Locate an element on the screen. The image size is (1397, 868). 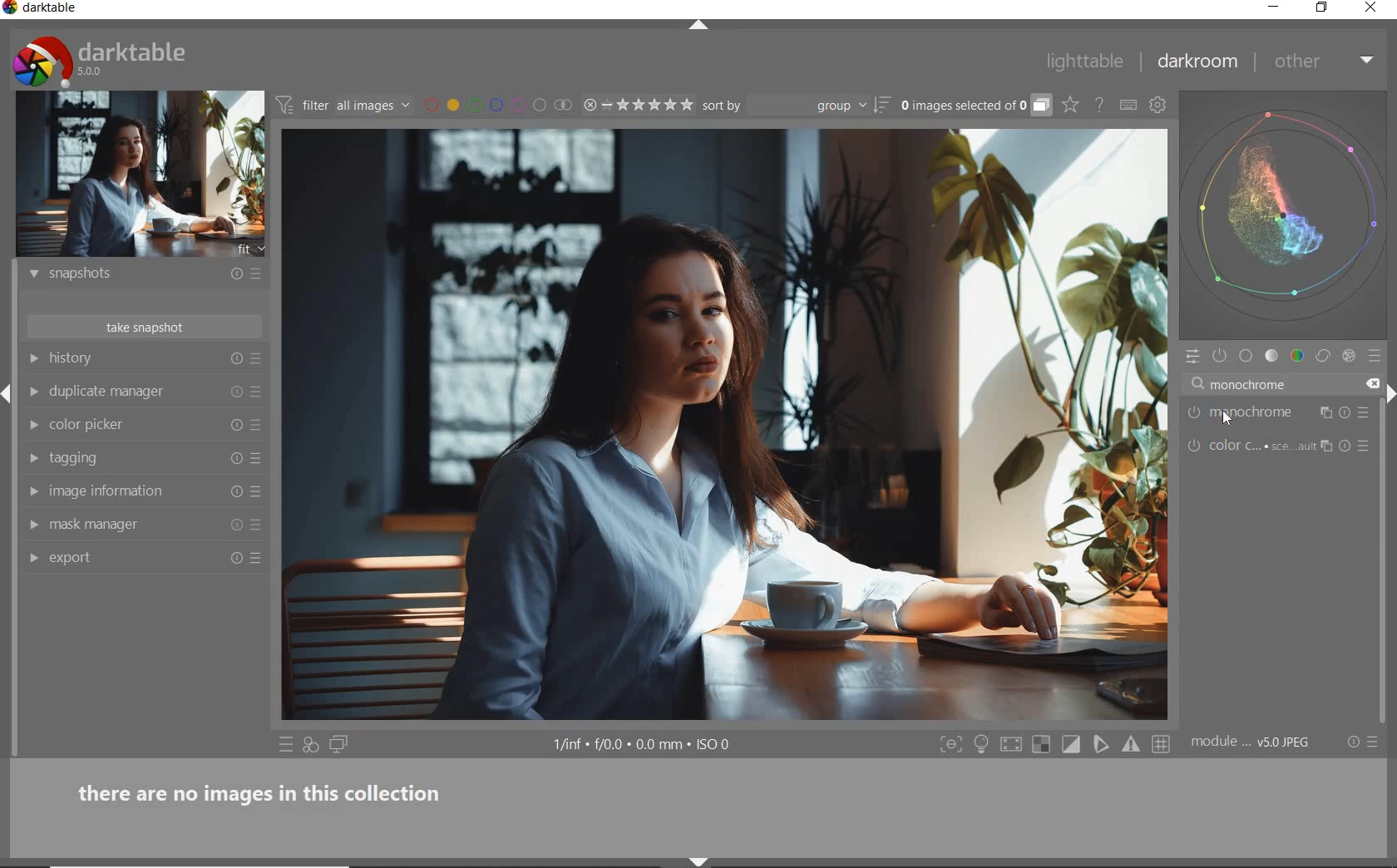
mask manager is located at coordinates (132, 524).